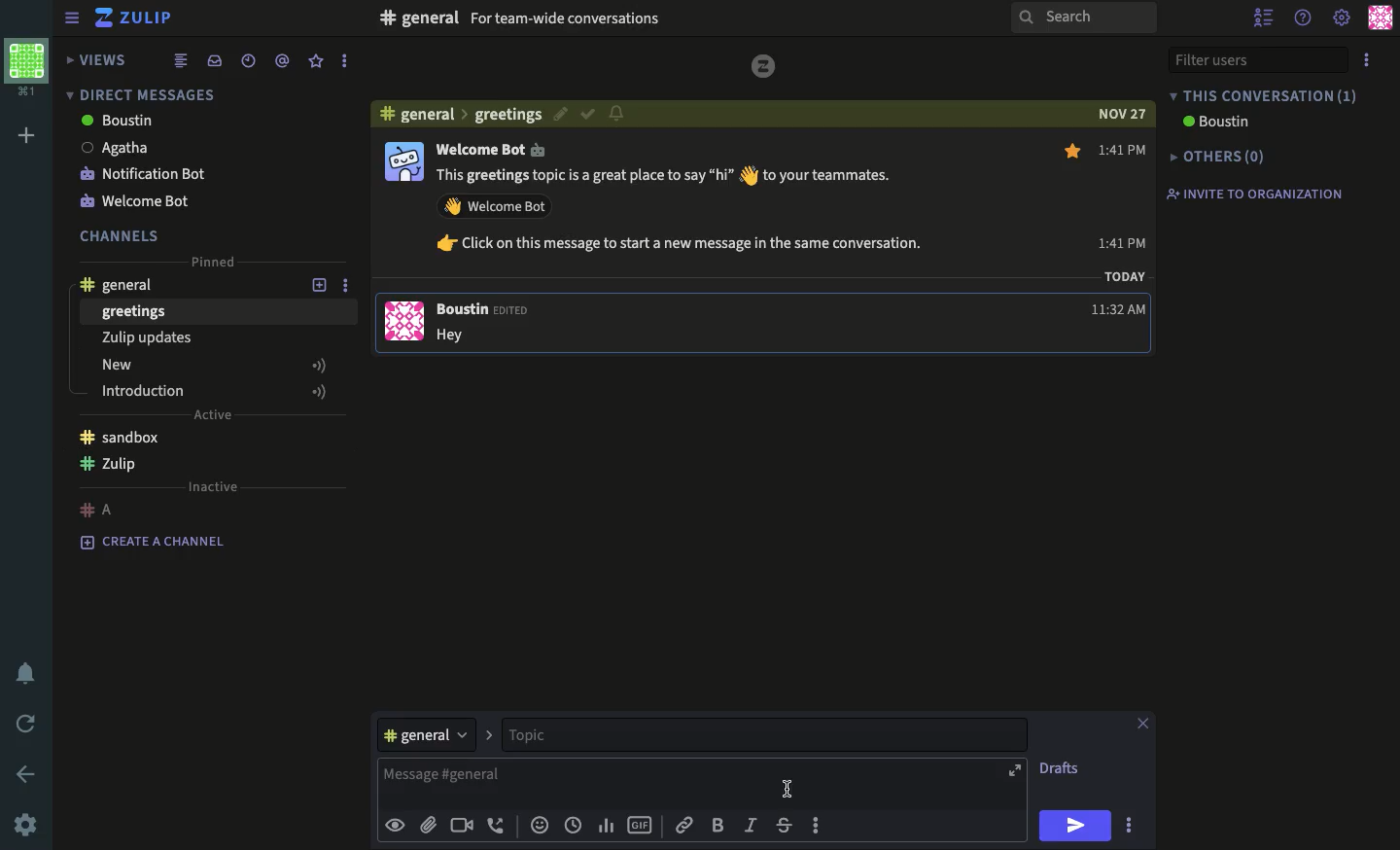 Image resolution: width=1400 pixels, height=850 pixels. What do you see at coordinates (1124, 195) in the screenshot?
I see `1:41 PM` at bounding box center [1124, 195].